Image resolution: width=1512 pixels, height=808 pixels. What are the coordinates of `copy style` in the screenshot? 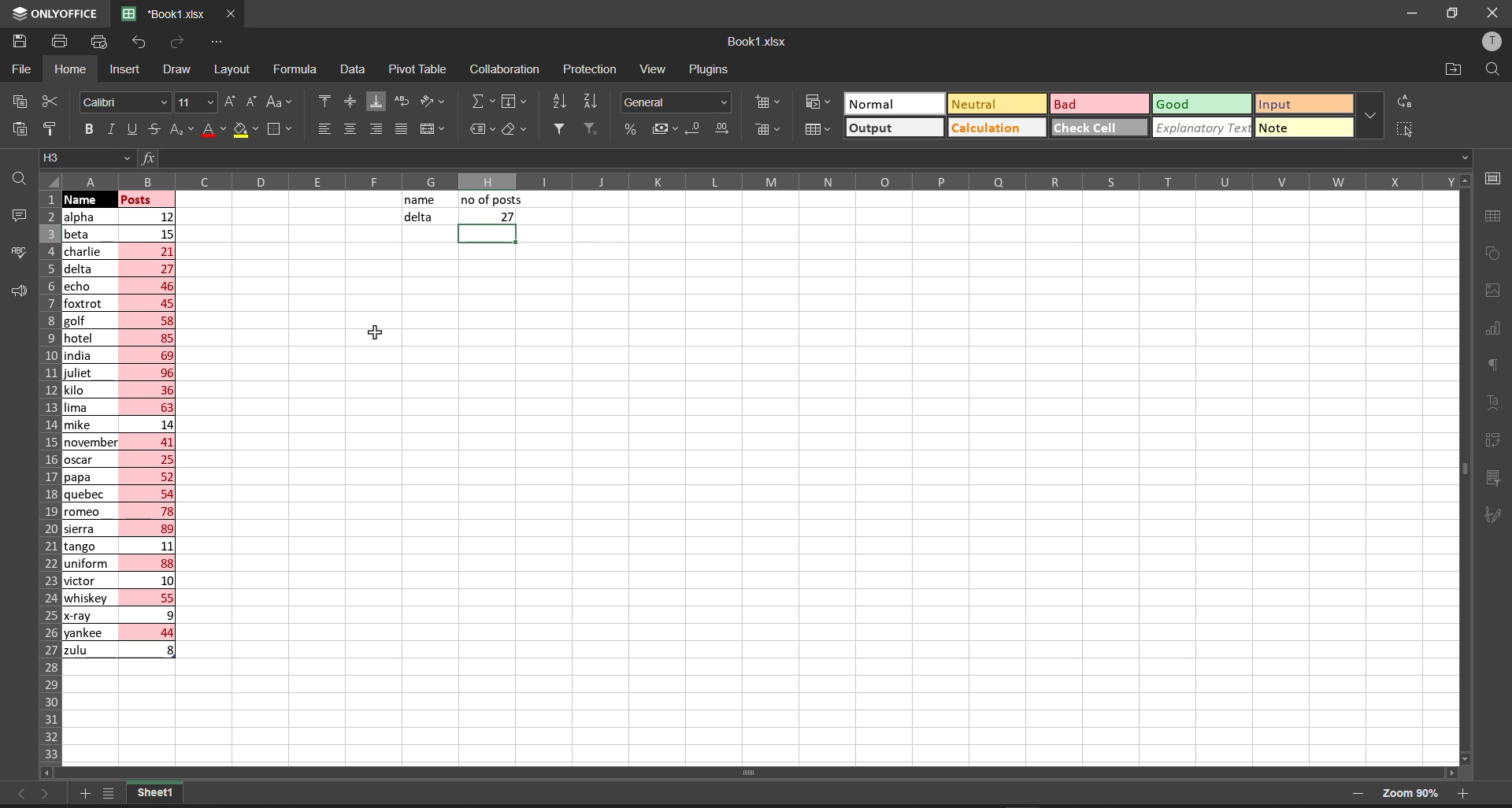 It's located at (55, 128).